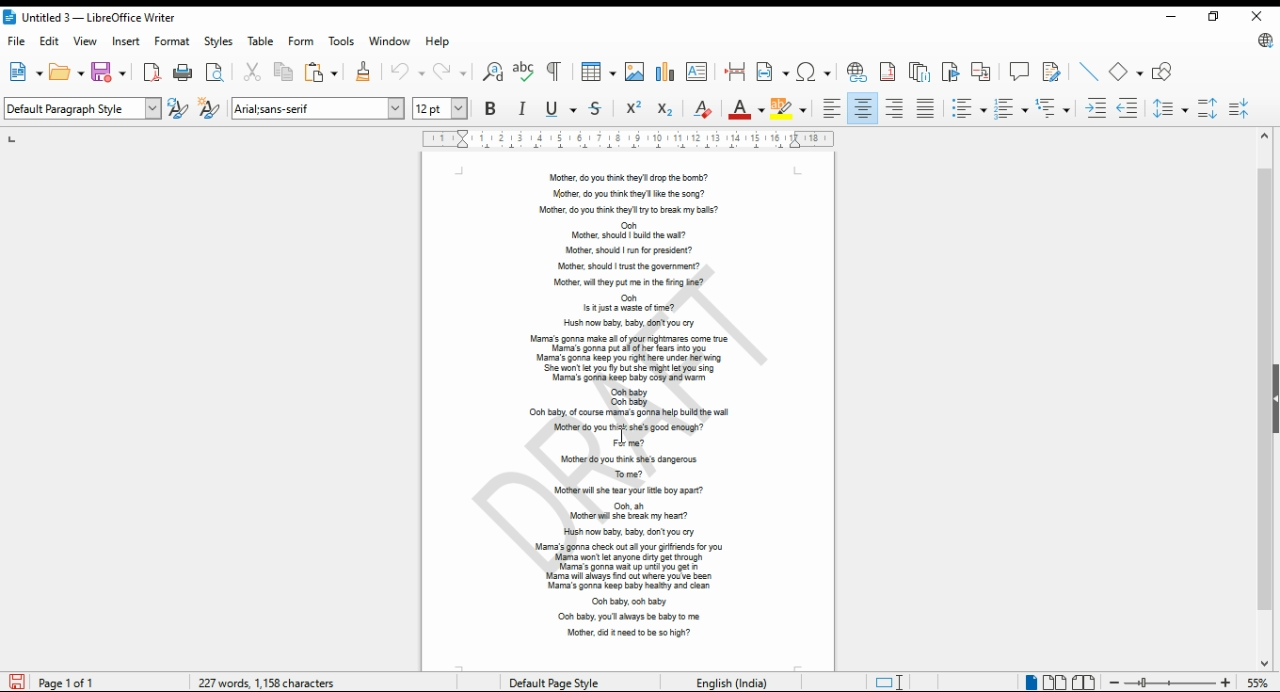 Image resolution: width=1280 pixels, height=692 pixels. I want to click on redo, so click(449, 71).